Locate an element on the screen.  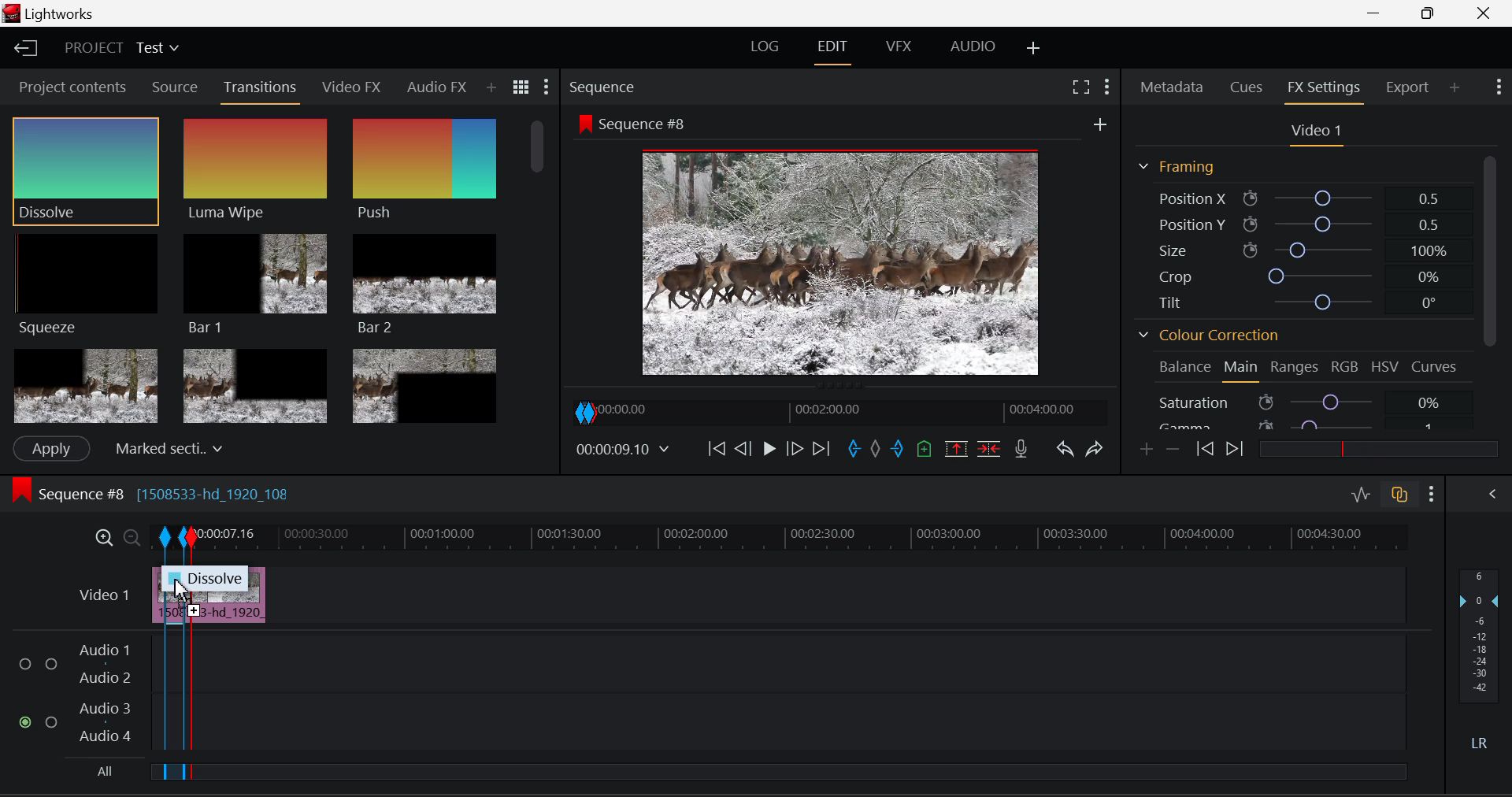
Record Voiceover is located at coordinates (1022, 449).